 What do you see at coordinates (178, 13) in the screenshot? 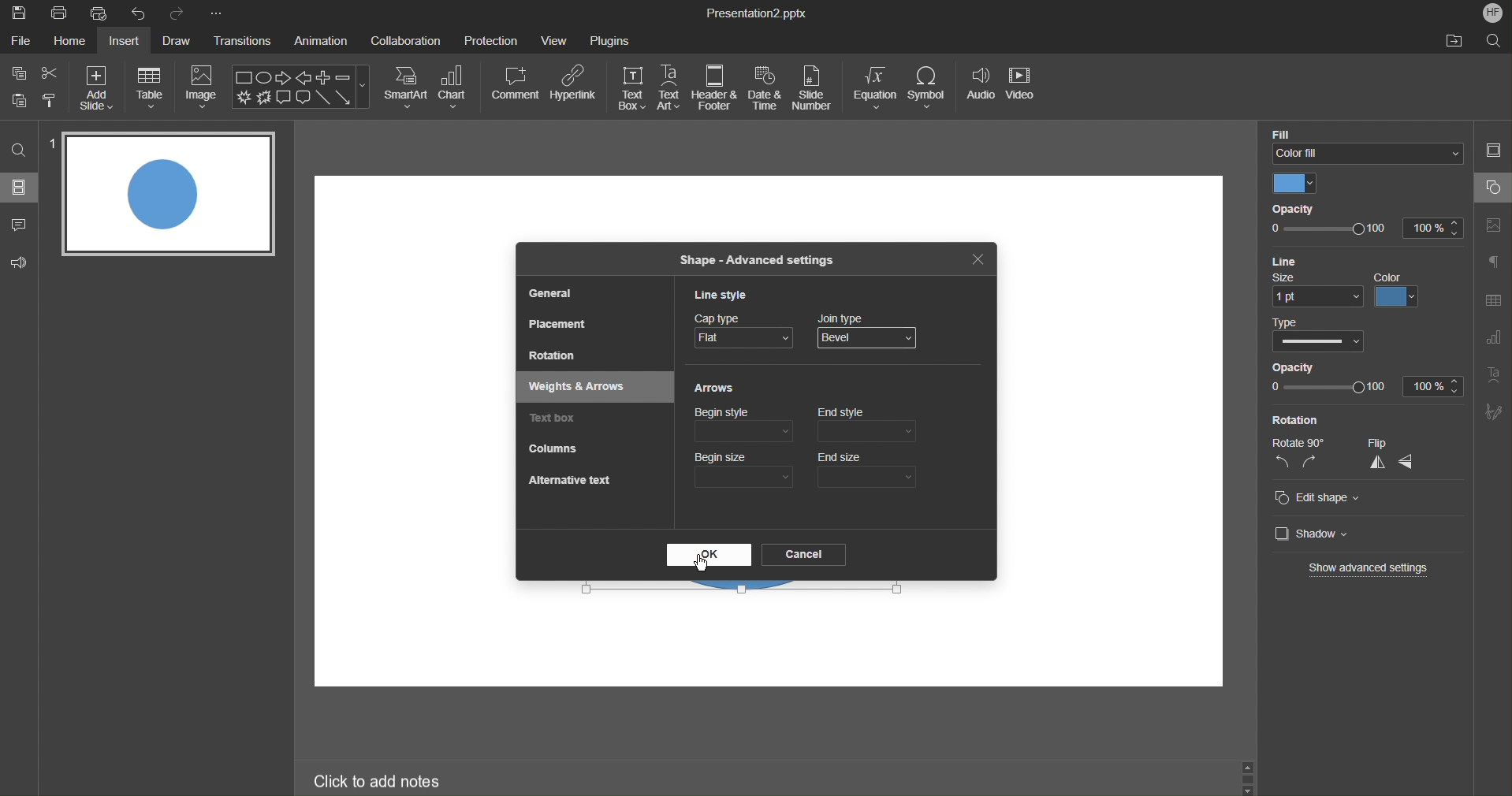
I see `Redo` at bounding box center [178, 13].